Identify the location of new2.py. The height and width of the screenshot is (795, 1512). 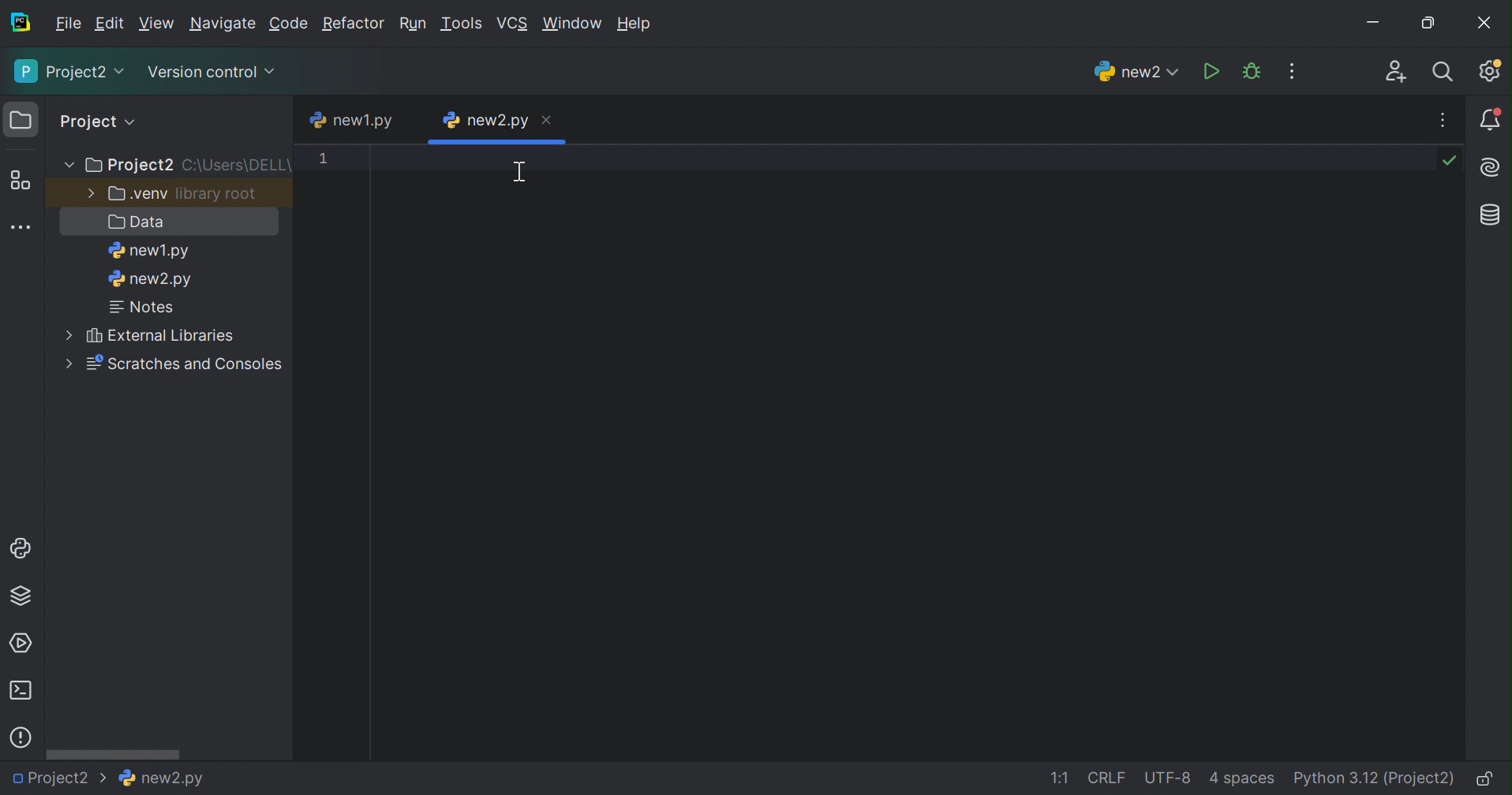
(152, 281).